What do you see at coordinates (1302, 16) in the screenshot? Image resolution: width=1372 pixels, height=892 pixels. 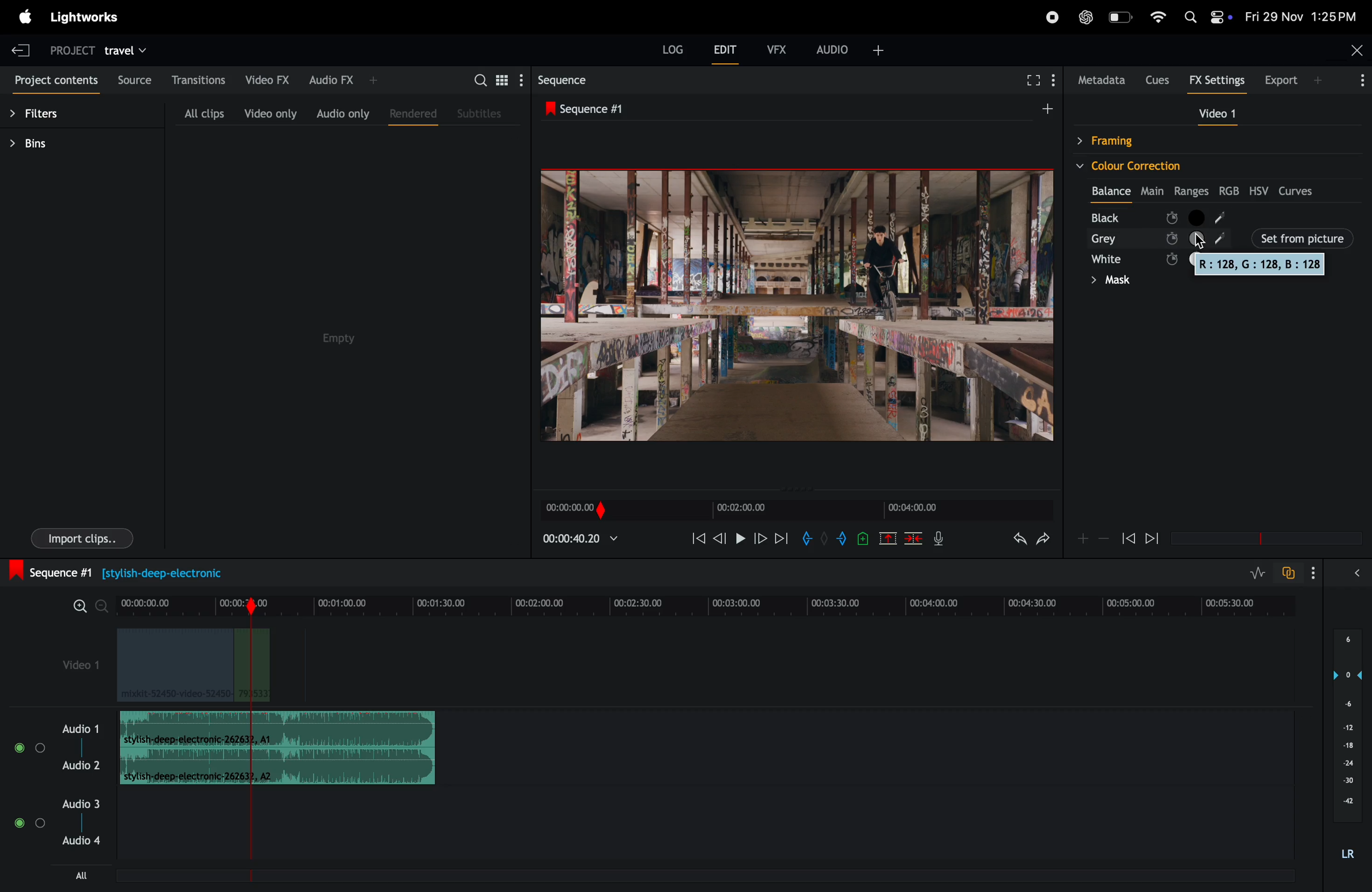 I see `date and time` at bounding box center [1302, 16].